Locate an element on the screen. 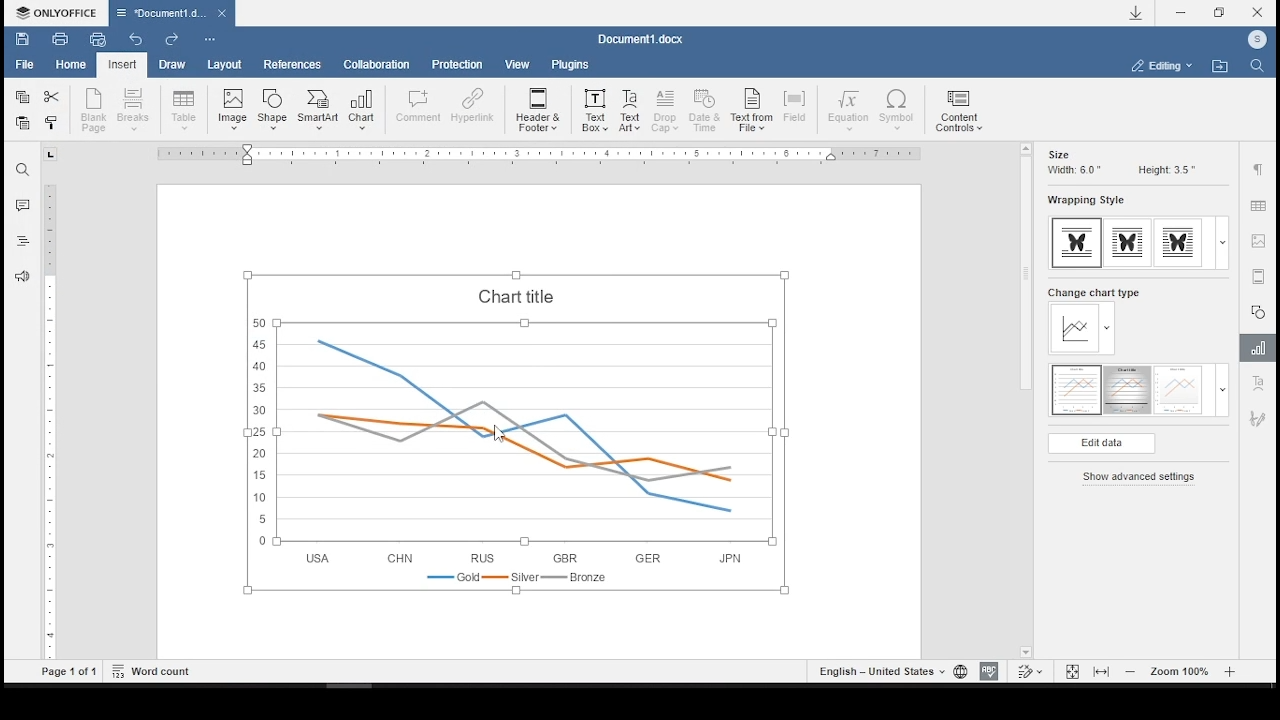 This screenshot has height=720, width=1280. word count is located at coordinates (155, 670).